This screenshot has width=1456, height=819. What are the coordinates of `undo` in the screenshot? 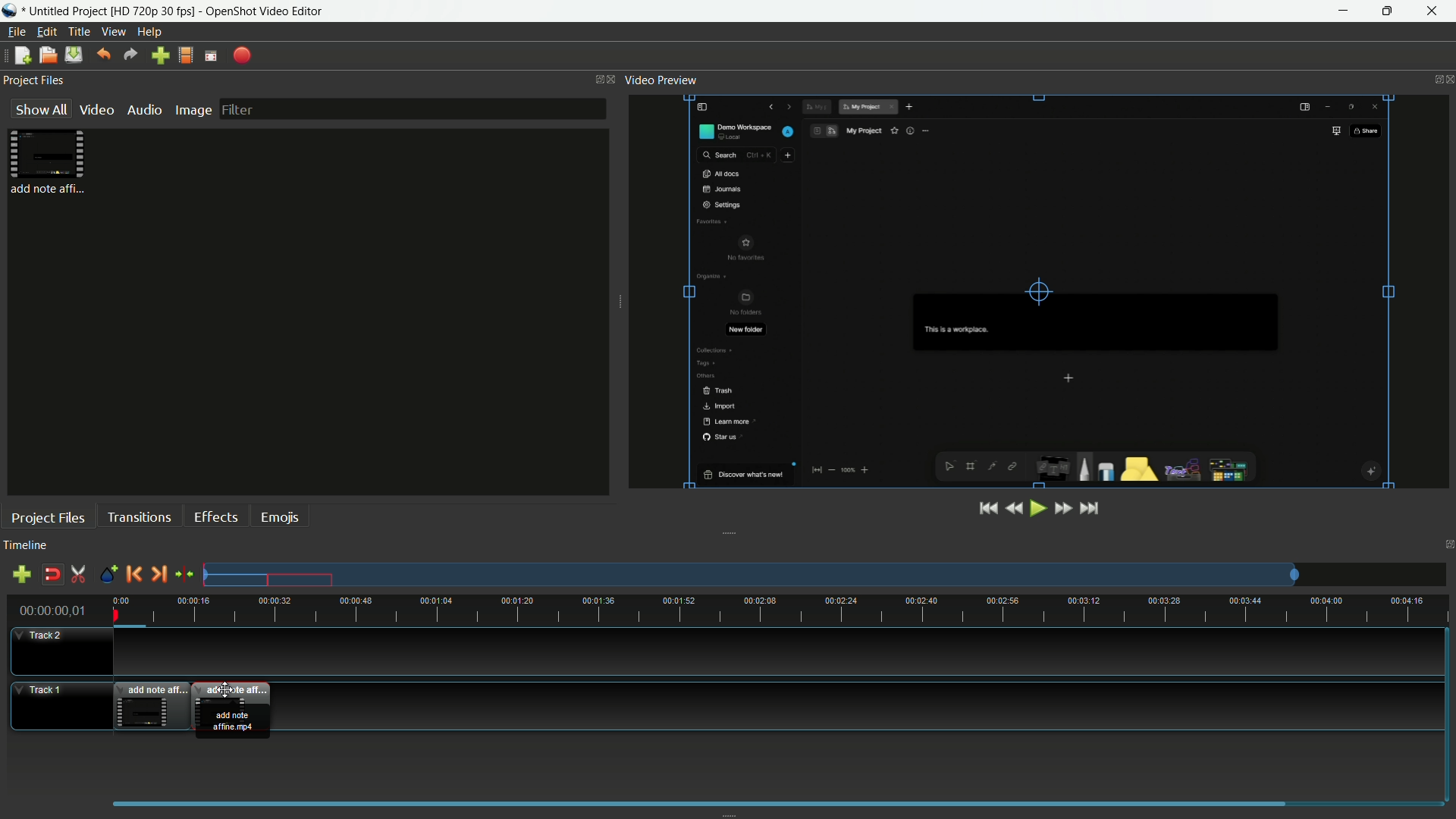 It's located at (105, 54).